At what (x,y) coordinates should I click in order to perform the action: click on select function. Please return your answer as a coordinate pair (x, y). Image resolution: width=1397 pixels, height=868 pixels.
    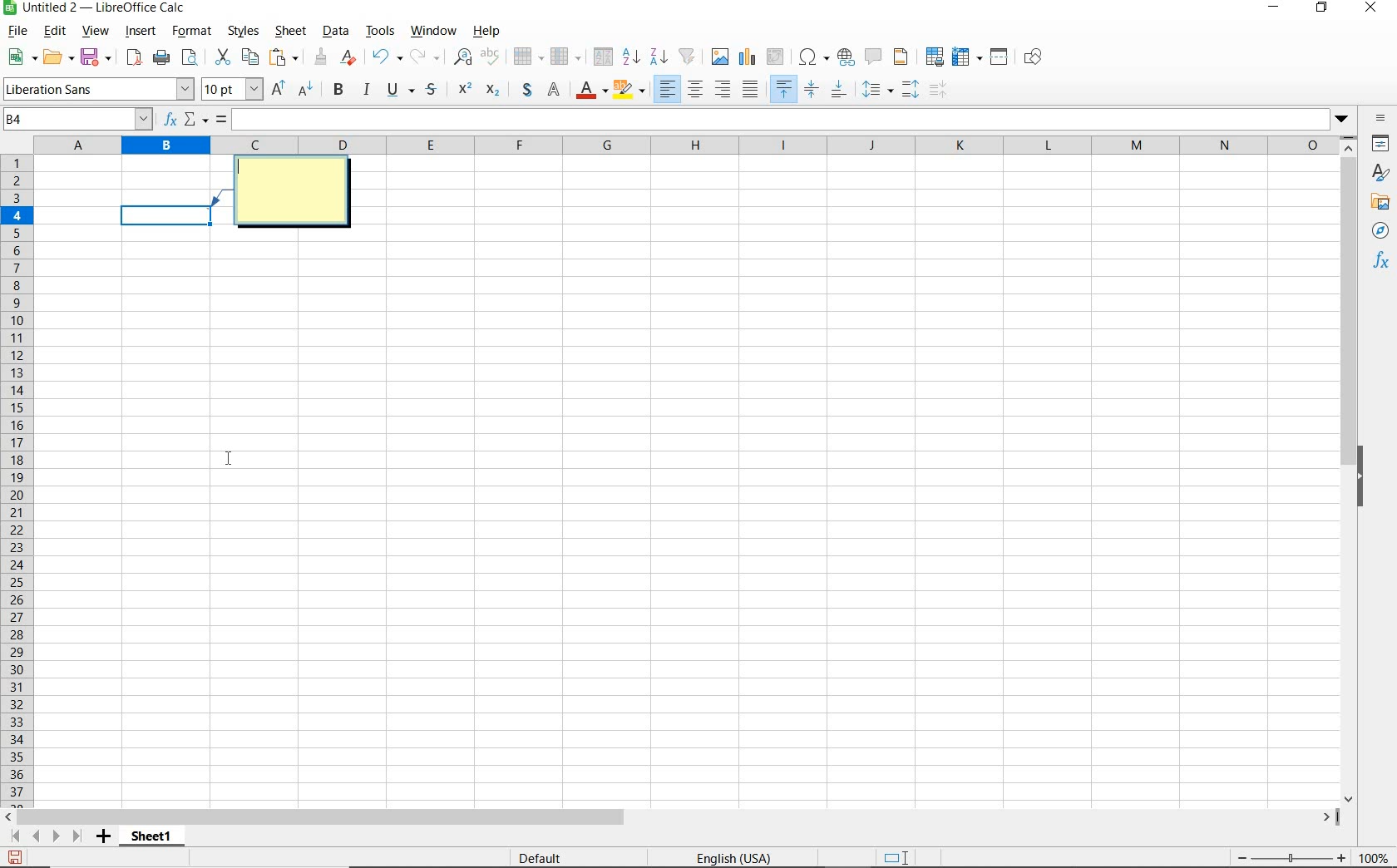
    Looking at the image, I should click on (196, 120).